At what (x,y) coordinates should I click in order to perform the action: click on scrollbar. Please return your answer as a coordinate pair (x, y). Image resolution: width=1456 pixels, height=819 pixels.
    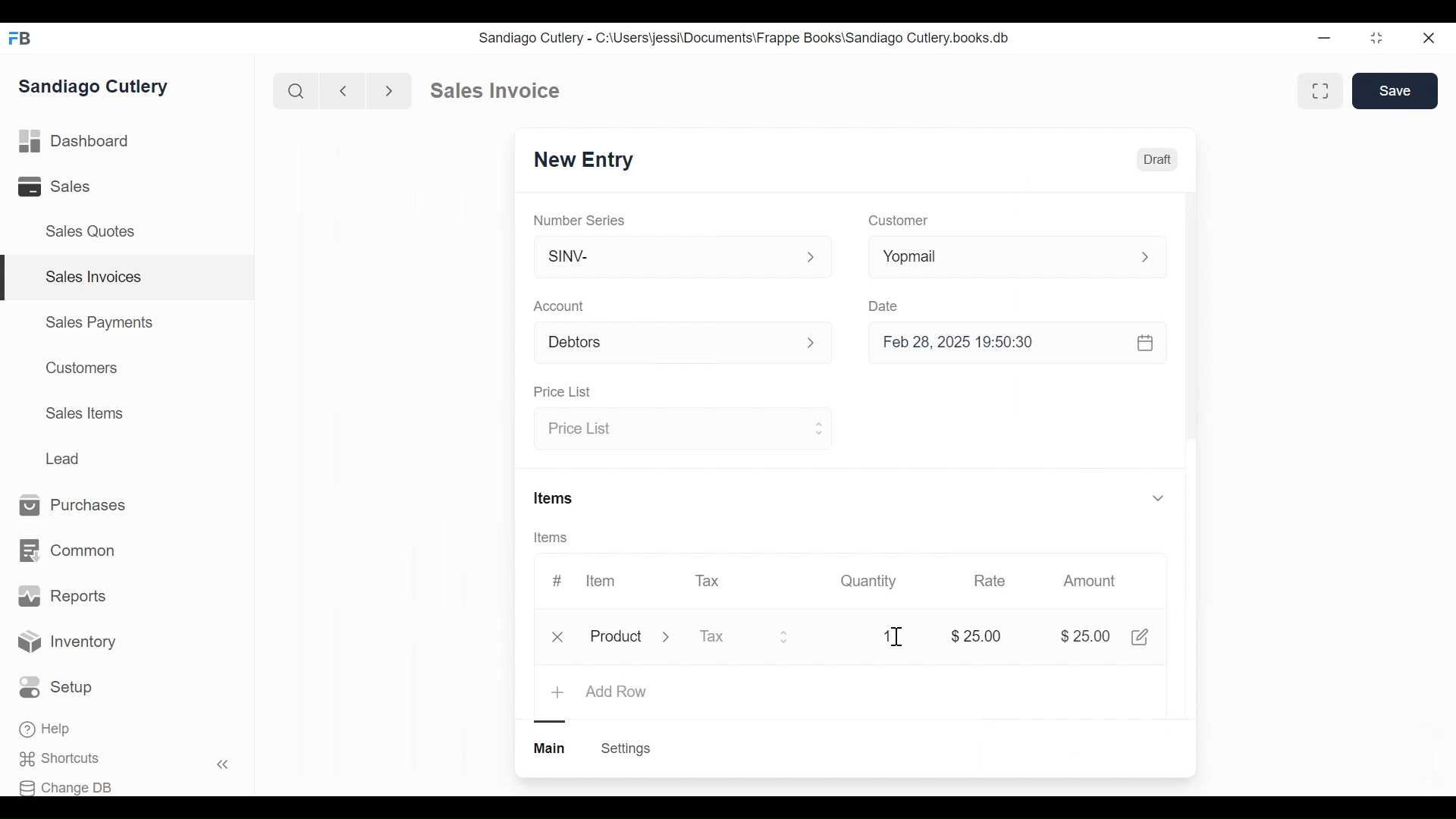
    Looking at the image, I should click on (1191, 321).